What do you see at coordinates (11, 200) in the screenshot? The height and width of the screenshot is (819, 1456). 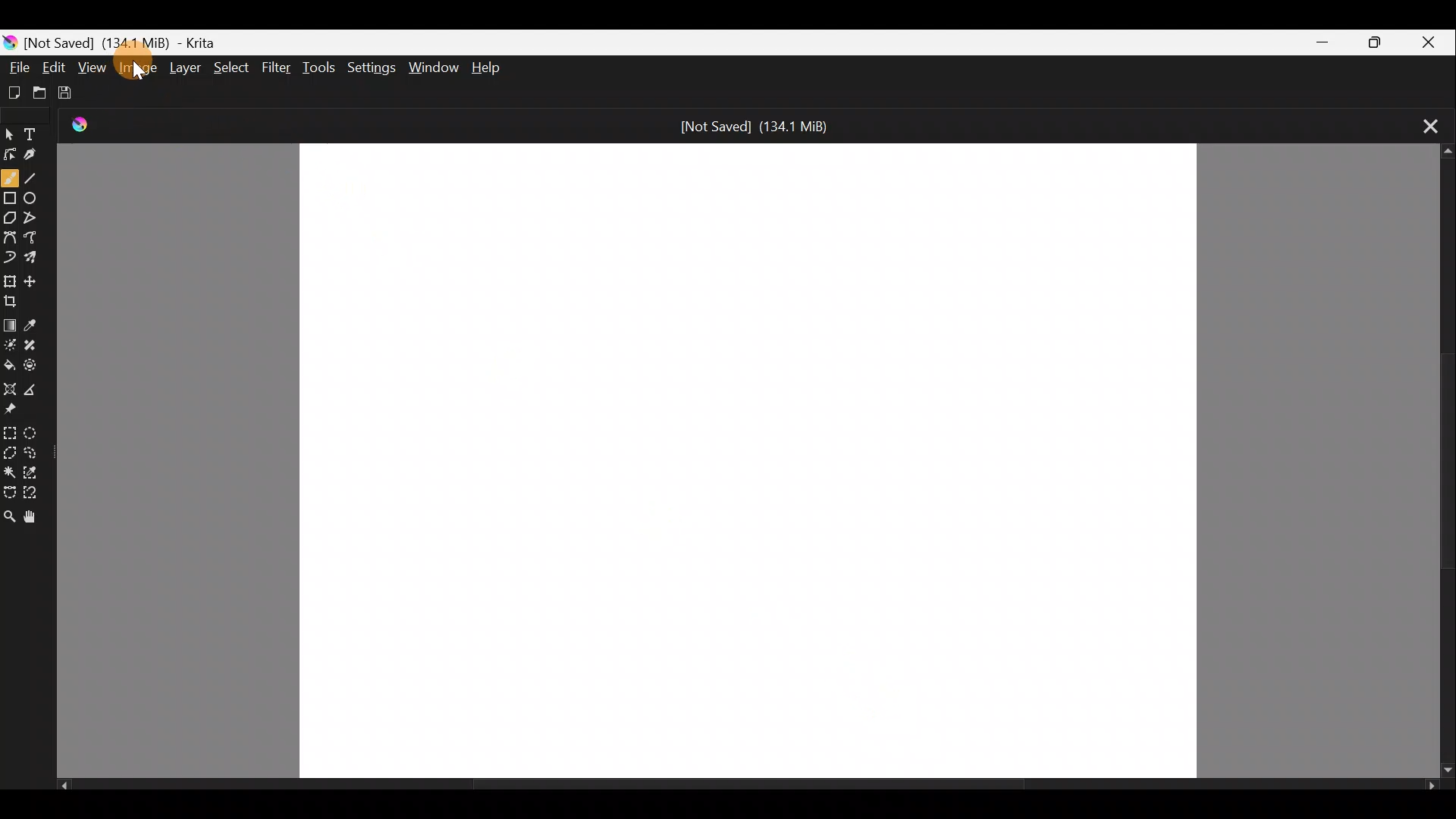 I see `Rectangle tool` at bounding box center [11, 200].